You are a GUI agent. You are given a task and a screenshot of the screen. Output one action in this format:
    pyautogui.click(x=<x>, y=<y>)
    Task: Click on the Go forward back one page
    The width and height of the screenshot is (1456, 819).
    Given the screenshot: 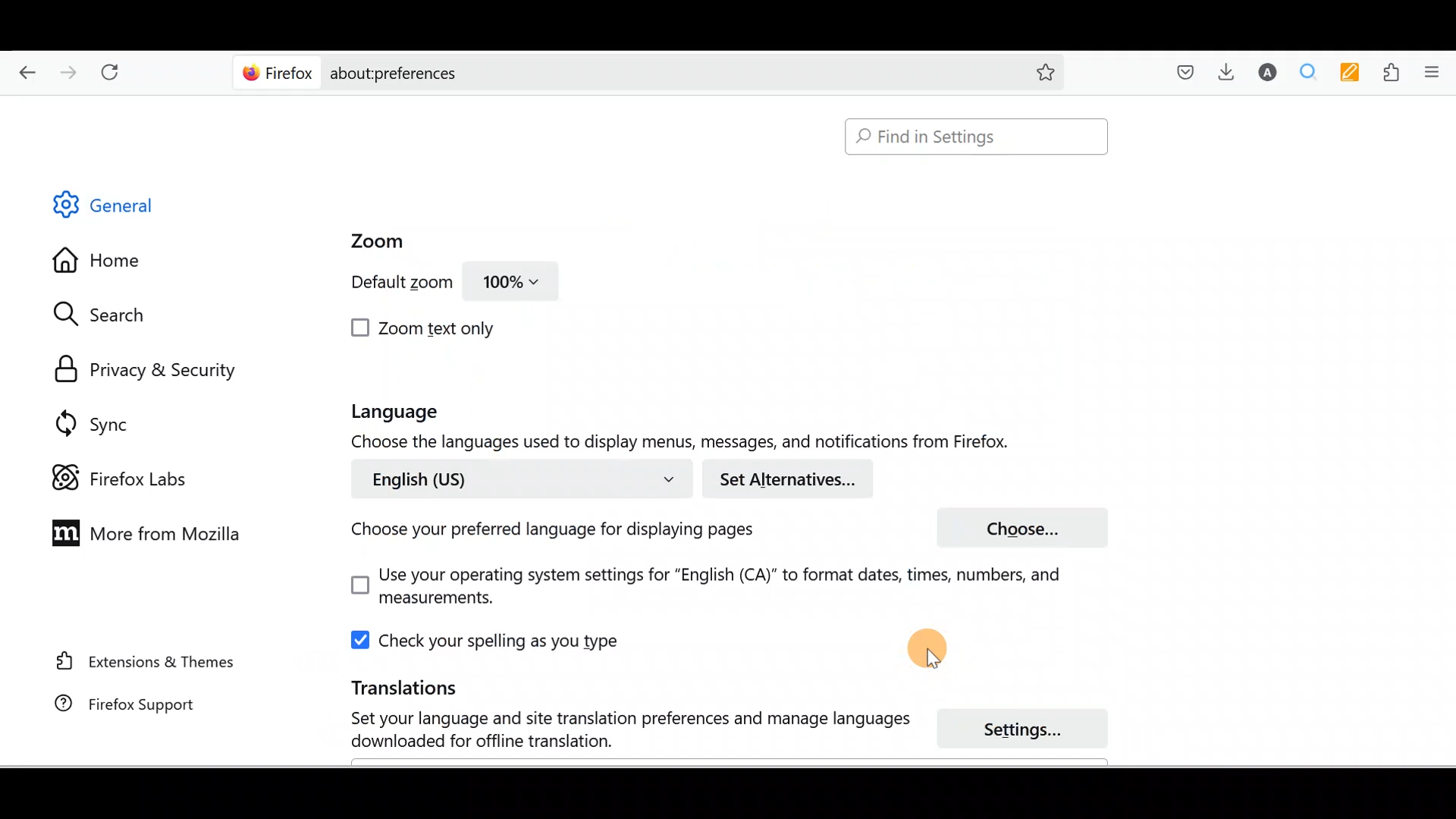 What is the action you would take?
    pyautogui.click(x=71, y=71)
    